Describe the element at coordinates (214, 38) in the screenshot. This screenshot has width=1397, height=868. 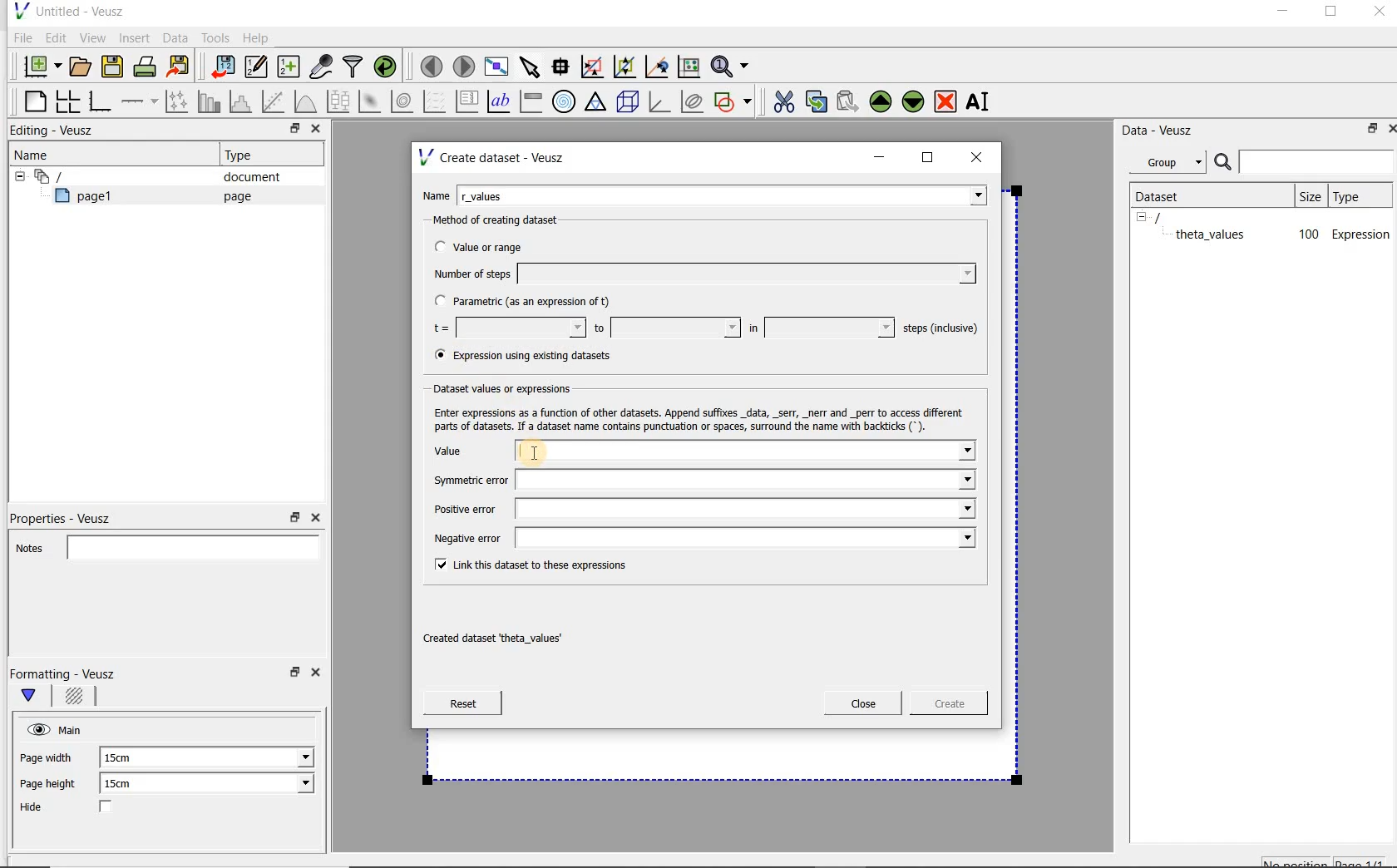
I see `Tools` at that location.